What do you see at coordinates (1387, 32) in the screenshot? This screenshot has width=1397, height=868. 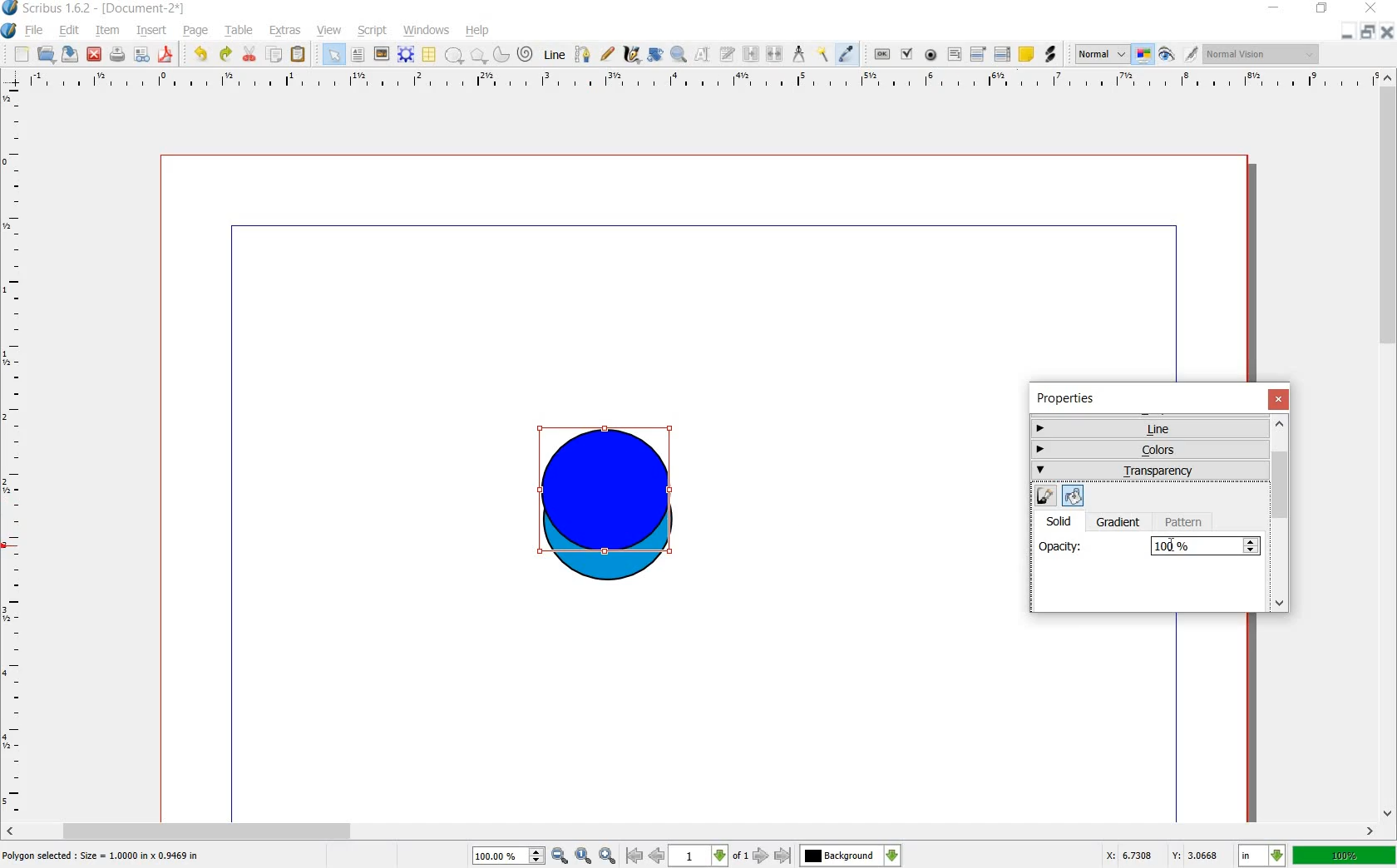 I see `close` at bounding box center [1387, 32].